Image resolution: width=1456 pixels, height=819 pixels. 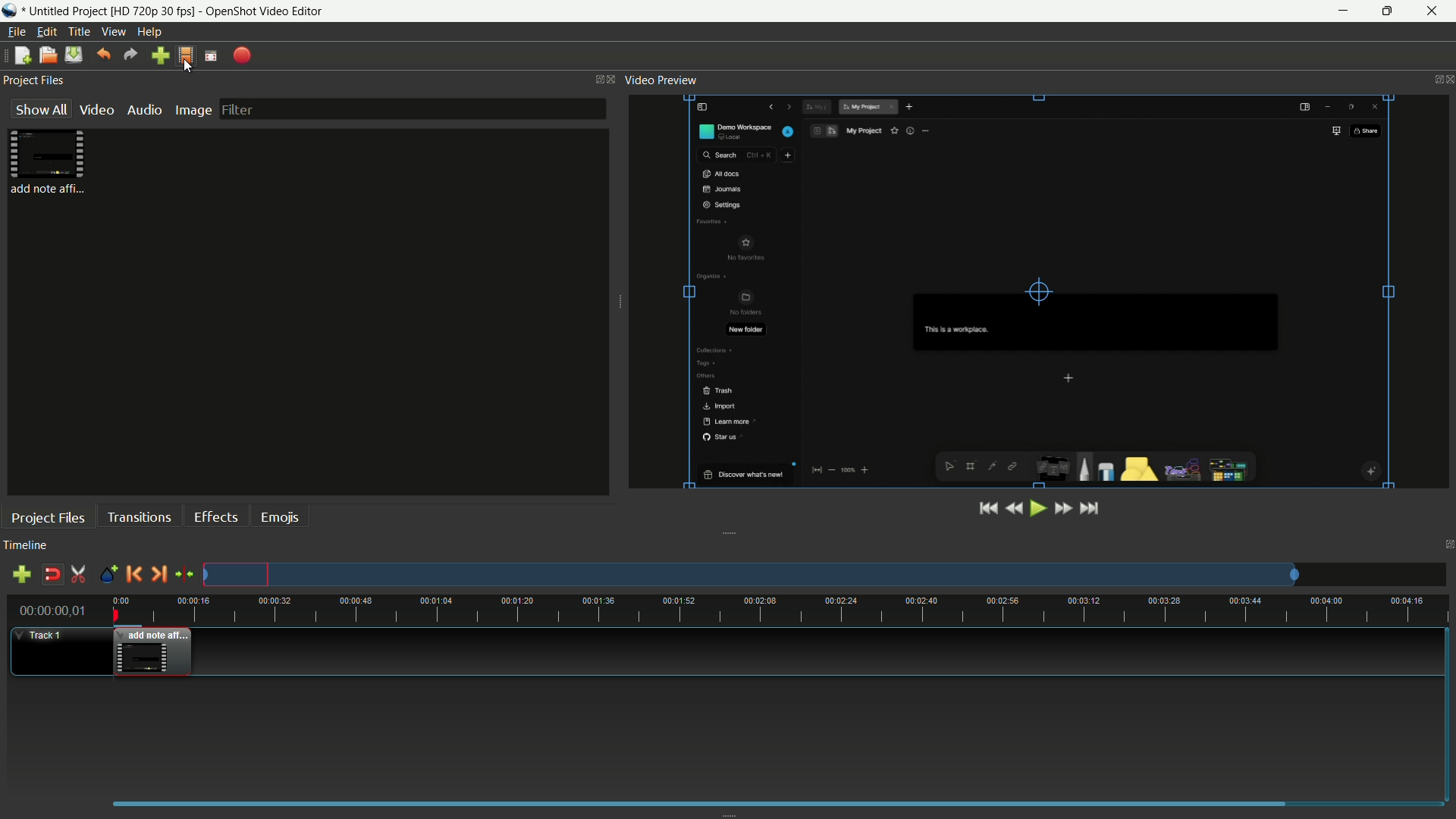 I want to click on video, so click(x=94, y=111).